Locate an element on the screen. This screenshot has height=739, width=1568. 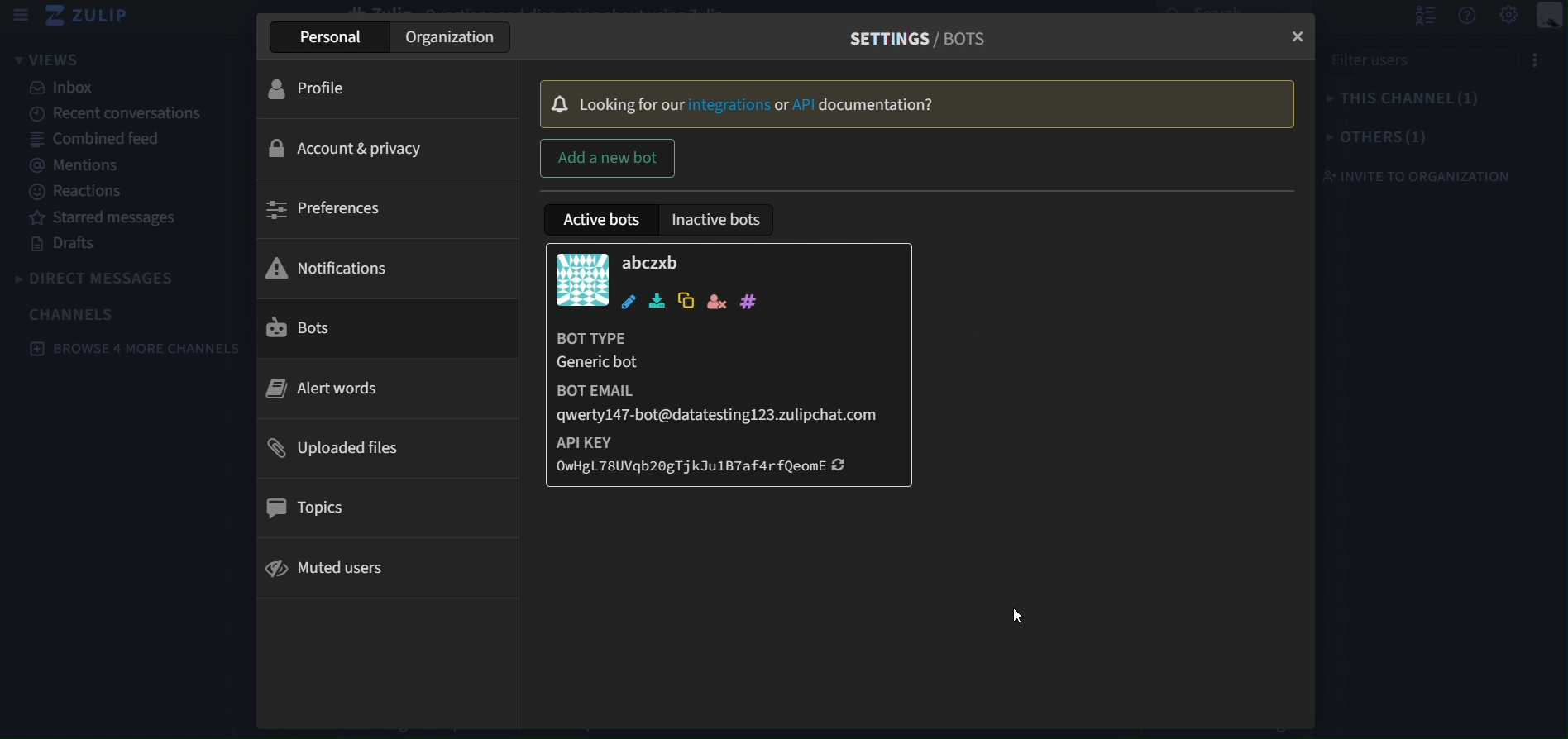
bell icon is located at coordinates (556, 104).